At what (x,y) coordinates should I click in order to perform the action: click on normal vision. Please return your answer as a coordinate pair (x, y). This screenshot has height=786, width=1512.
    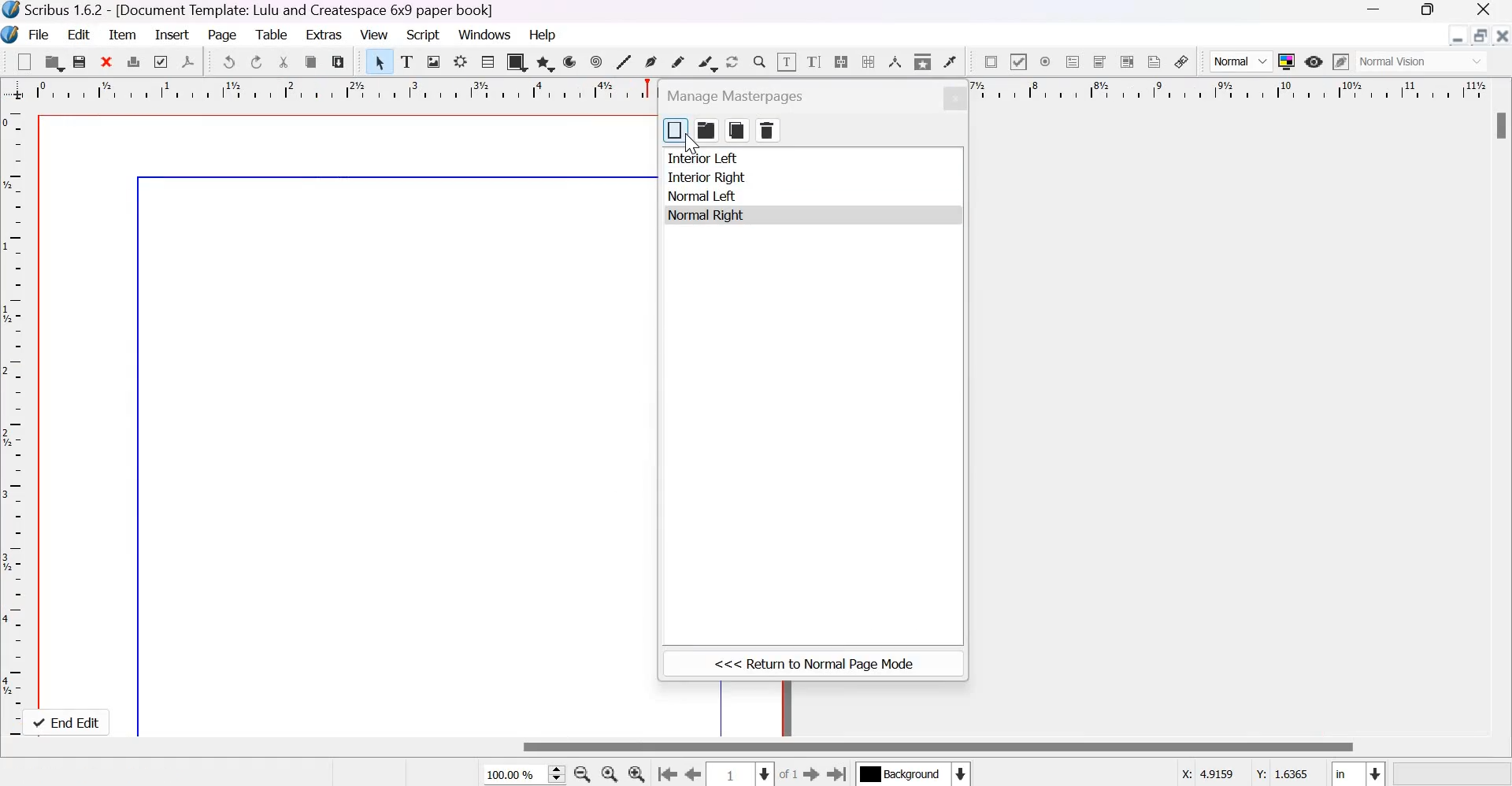
    Looking at the image, I should click on (1422, 61).